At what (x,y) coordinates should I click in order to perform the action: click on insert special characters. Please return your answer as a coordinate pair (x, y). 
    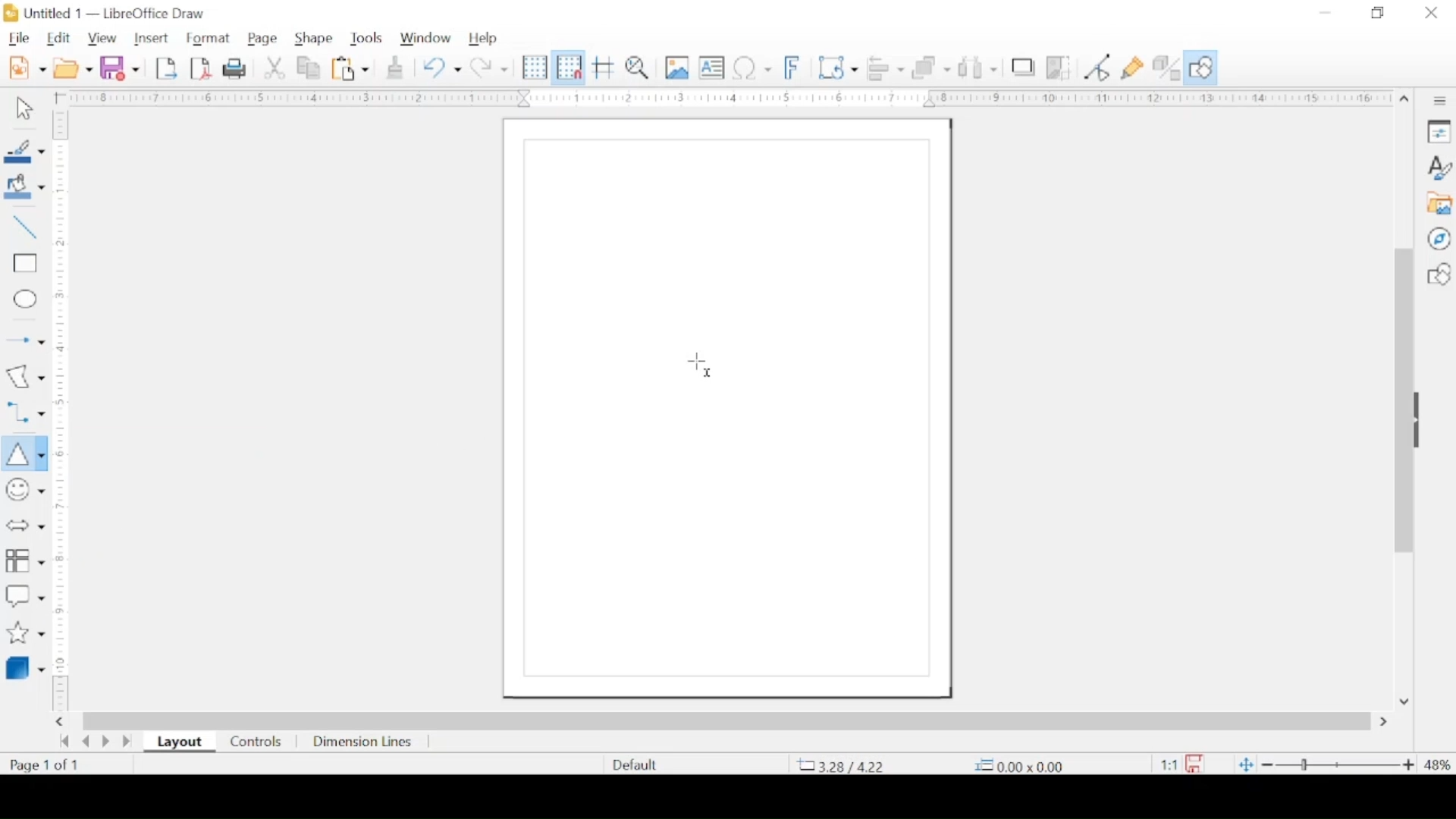
    Looking at the image, I should click on (752, 67).